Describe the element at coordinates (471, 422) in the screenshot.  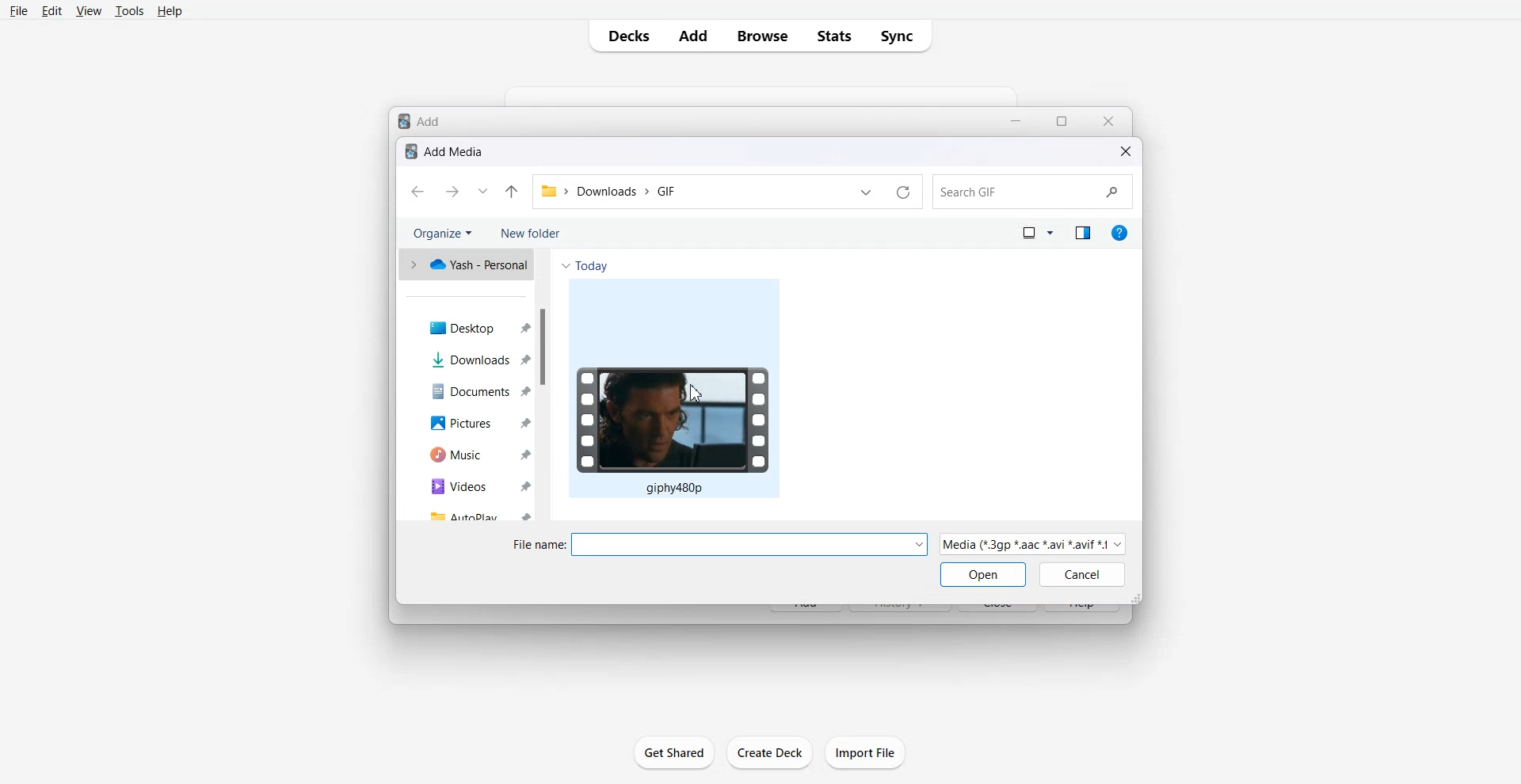
I see `Pictures` at that location.